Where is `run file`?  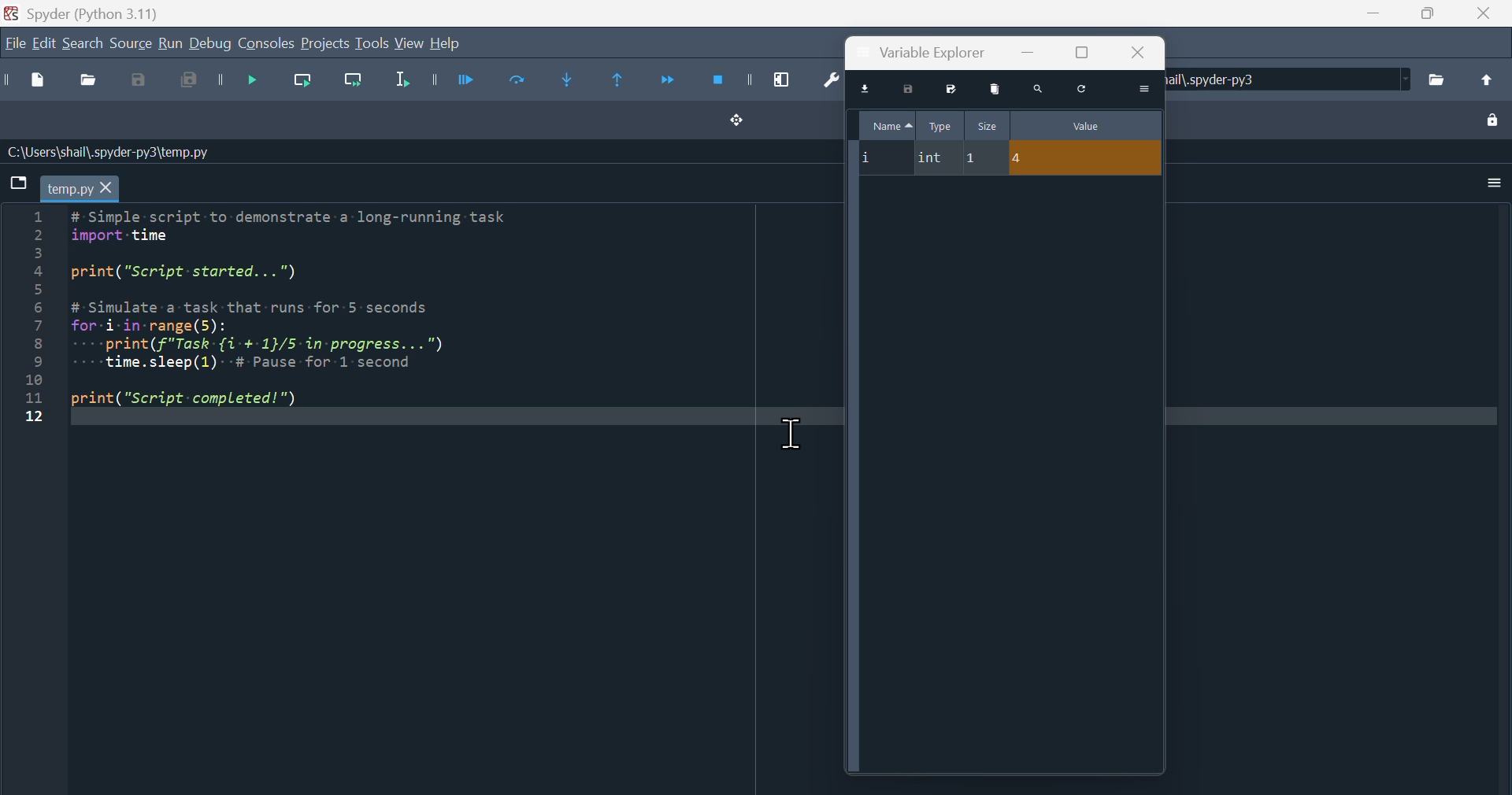
run file is located at coordinates (450, 79).